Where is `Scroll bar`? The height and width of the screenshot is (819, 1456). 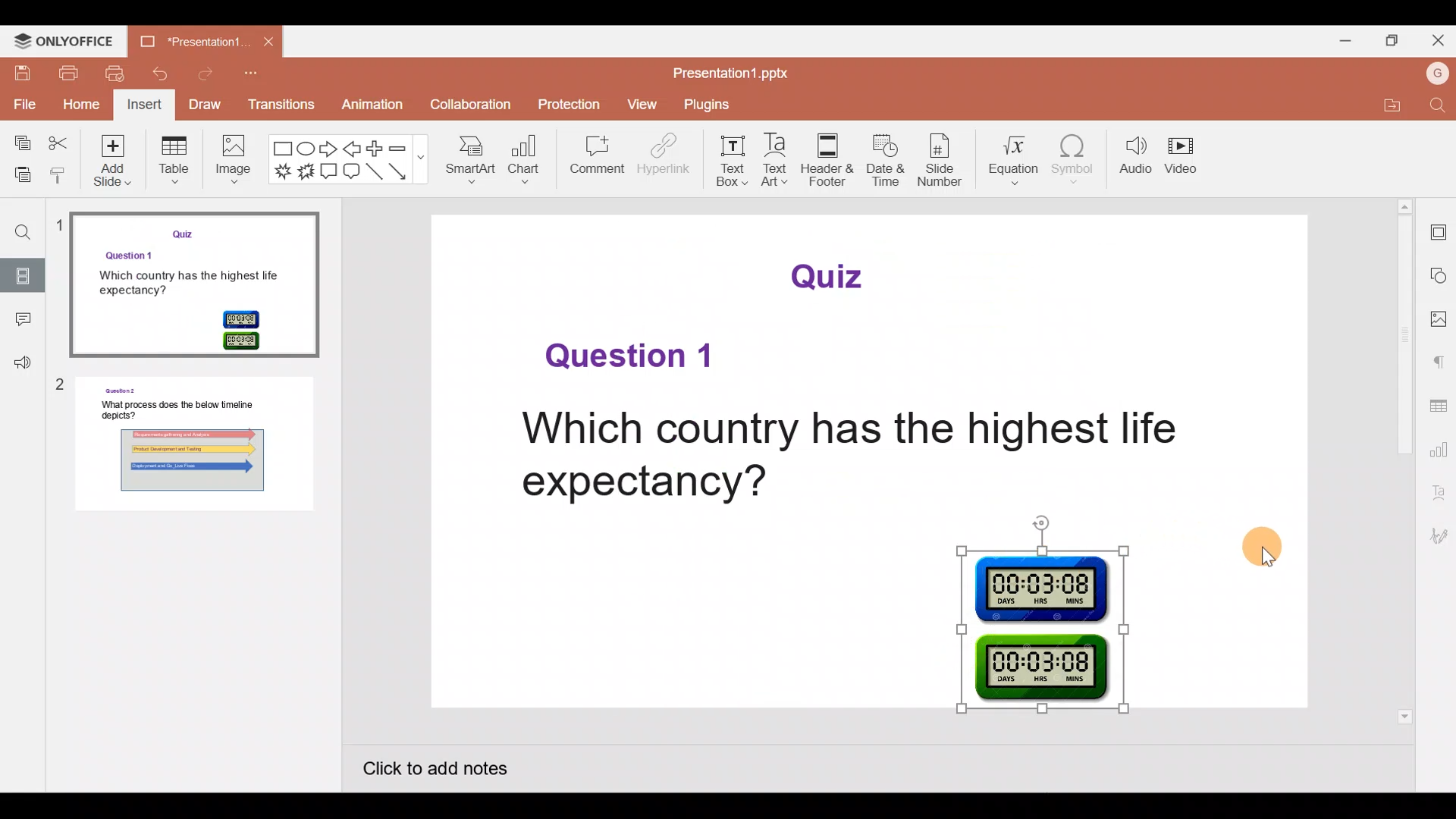
Scroll bar is located at coordinates (1405, 461).